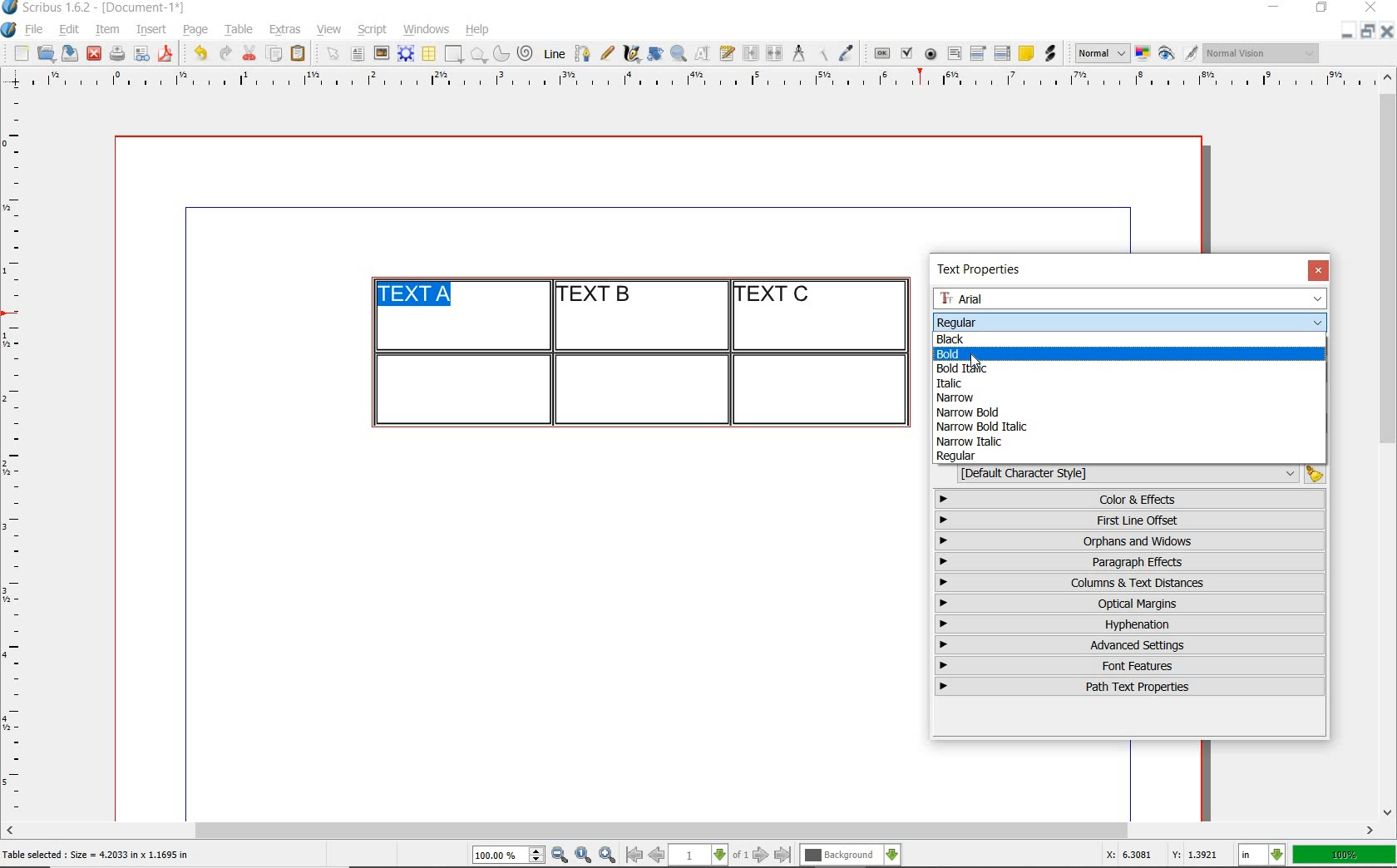 Image resolution: width=1397 pixels, height=868 pixels. What do you see at coordinates (94, 54) in the screenshot?
I see `close` at bounding box center [94, 54].